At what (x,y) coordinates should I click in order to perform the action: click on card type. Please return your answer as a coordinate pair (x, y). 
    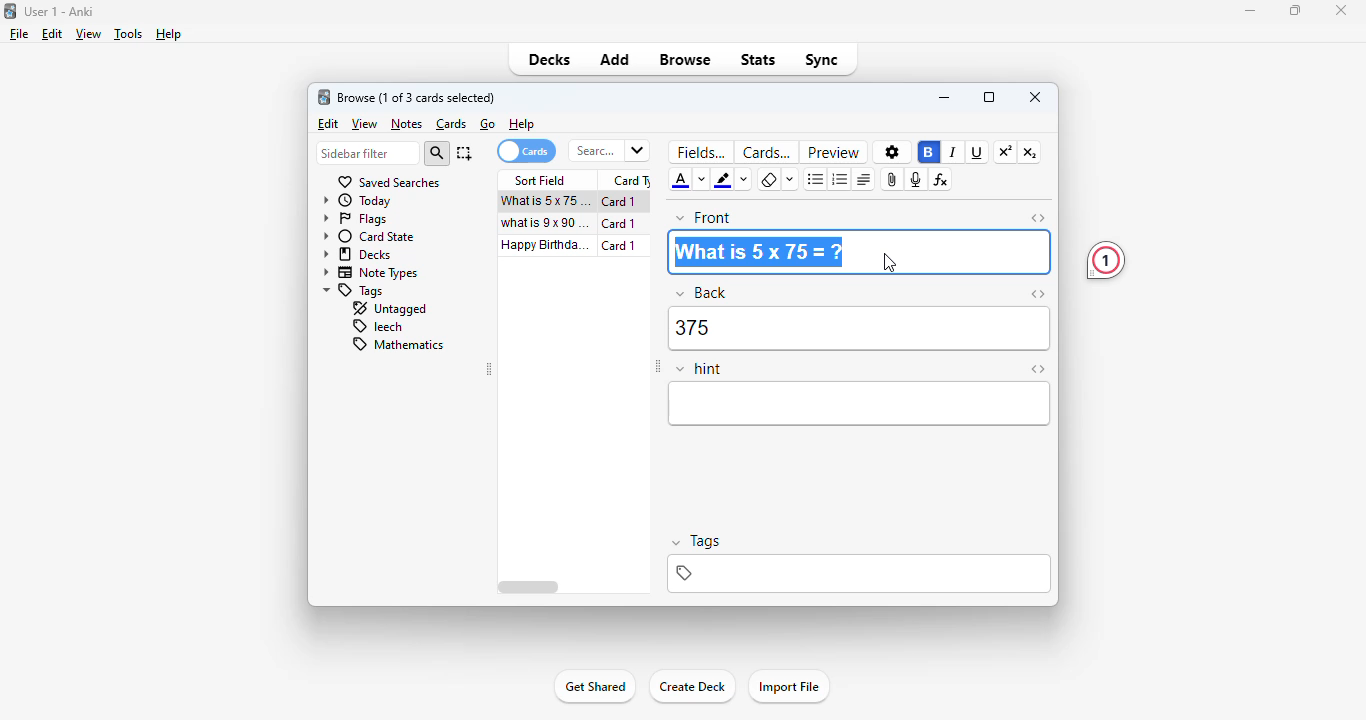
    Looking at the image, I should click on (630, 179).